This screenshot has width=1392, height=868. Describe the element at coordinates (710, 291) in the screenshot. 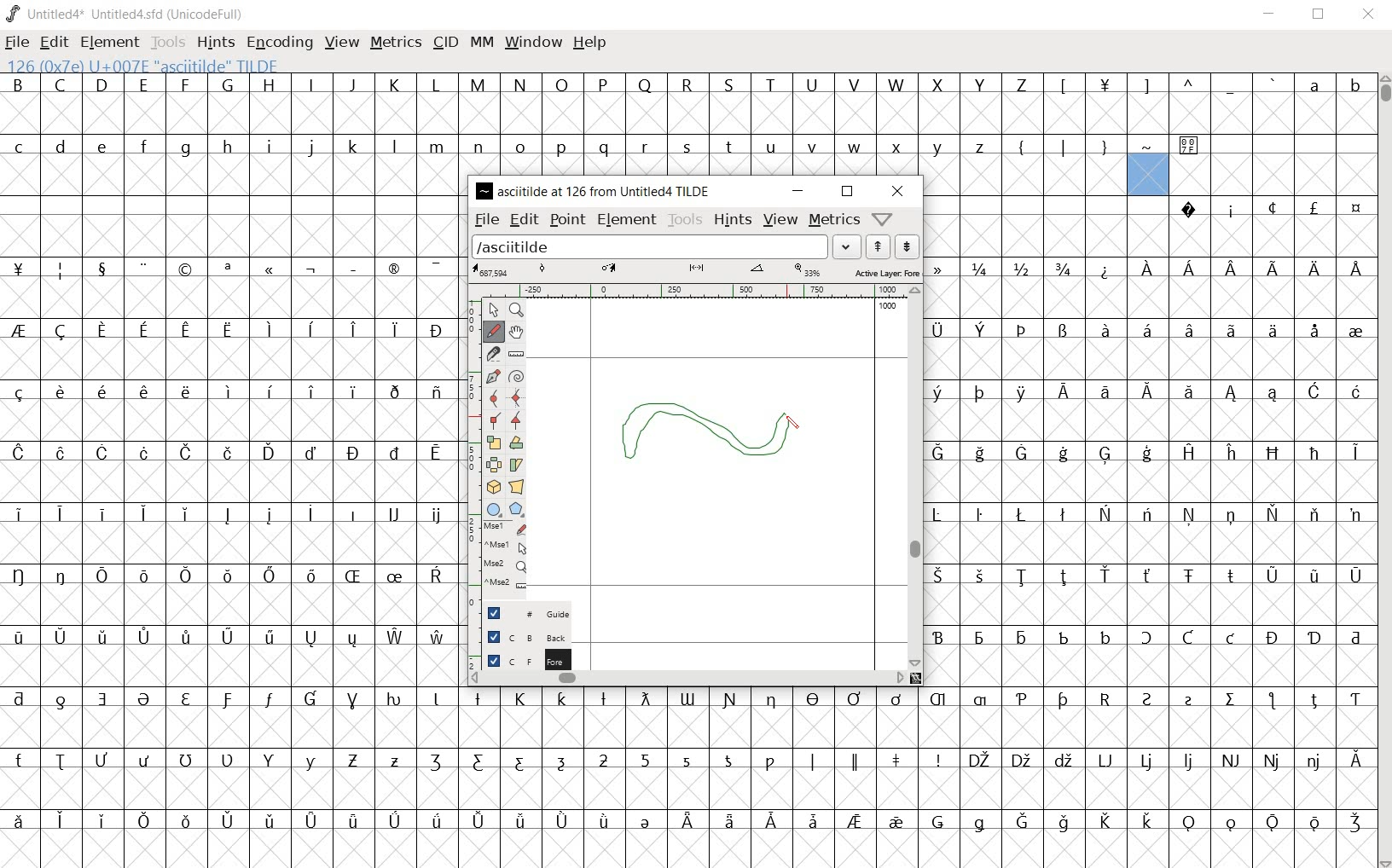

I see `ruler` at that location.